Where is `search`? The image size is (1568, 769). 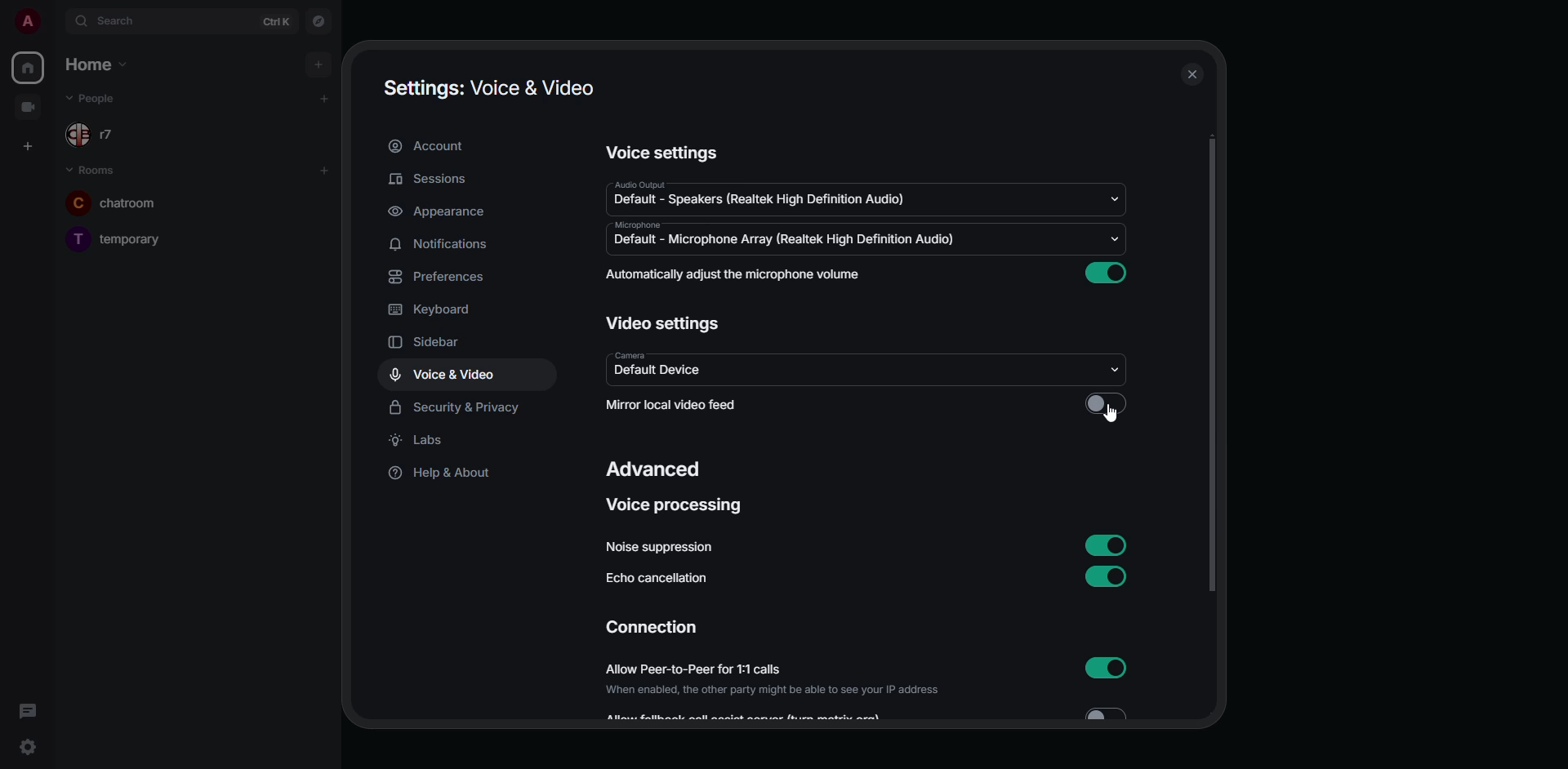
search is located at coordinates (109, 21).